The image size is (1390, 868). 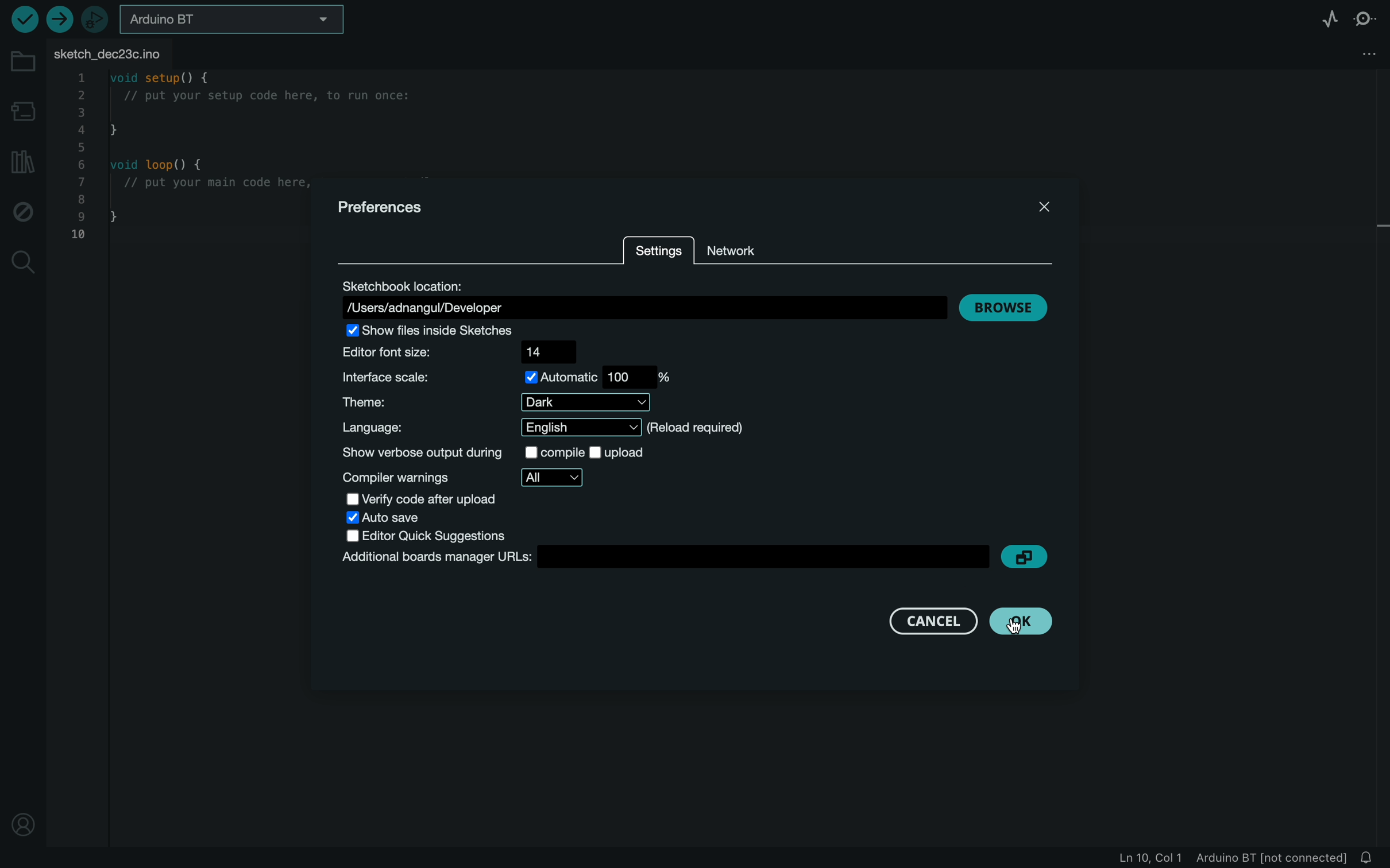 What do you see at coordinates (1041, 206) in the screenshot?
I see `close` at bounding box center [1041, 206].